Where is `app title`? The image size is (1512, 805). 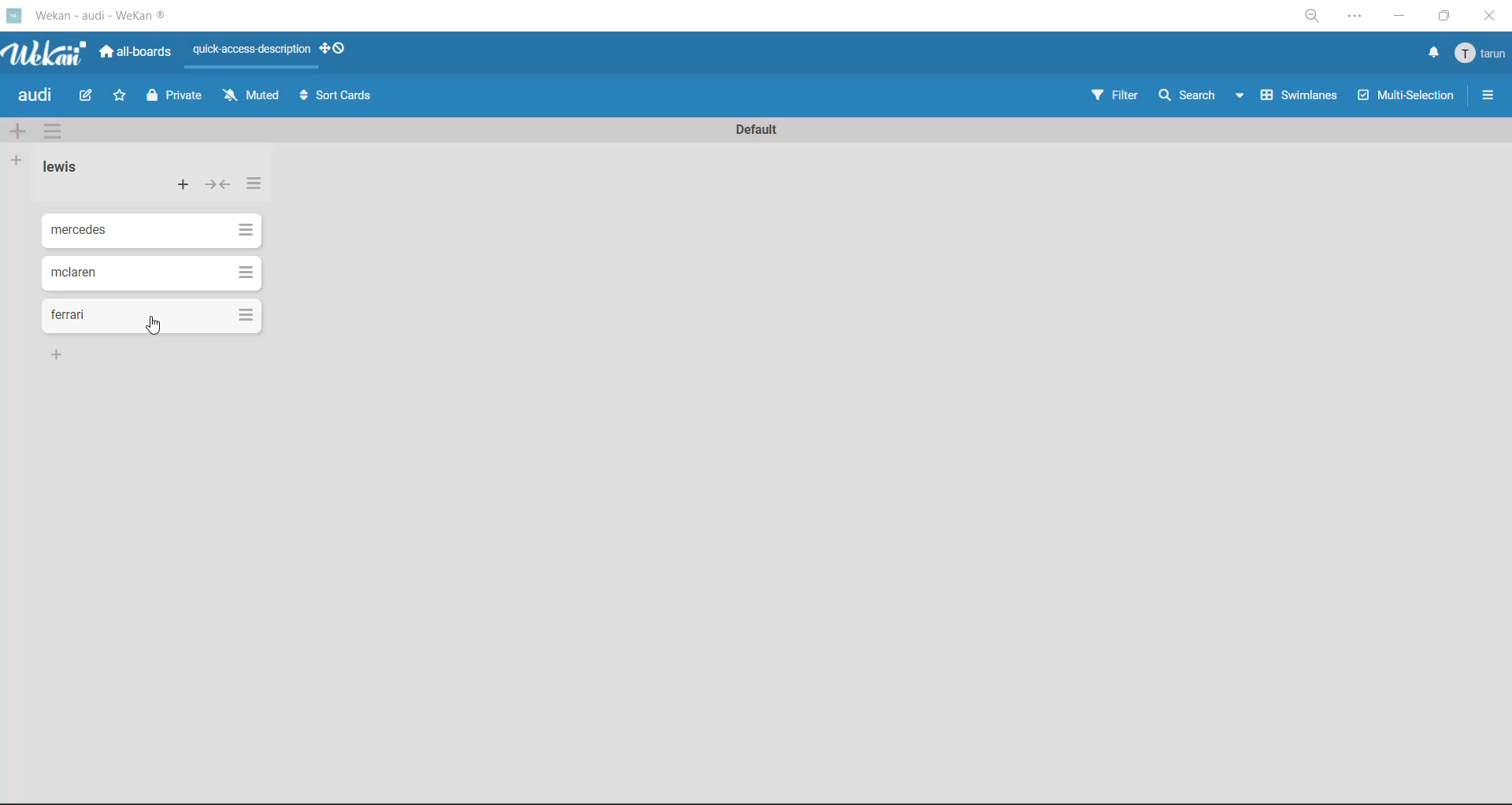 app title is located at coordinates (121, 13).